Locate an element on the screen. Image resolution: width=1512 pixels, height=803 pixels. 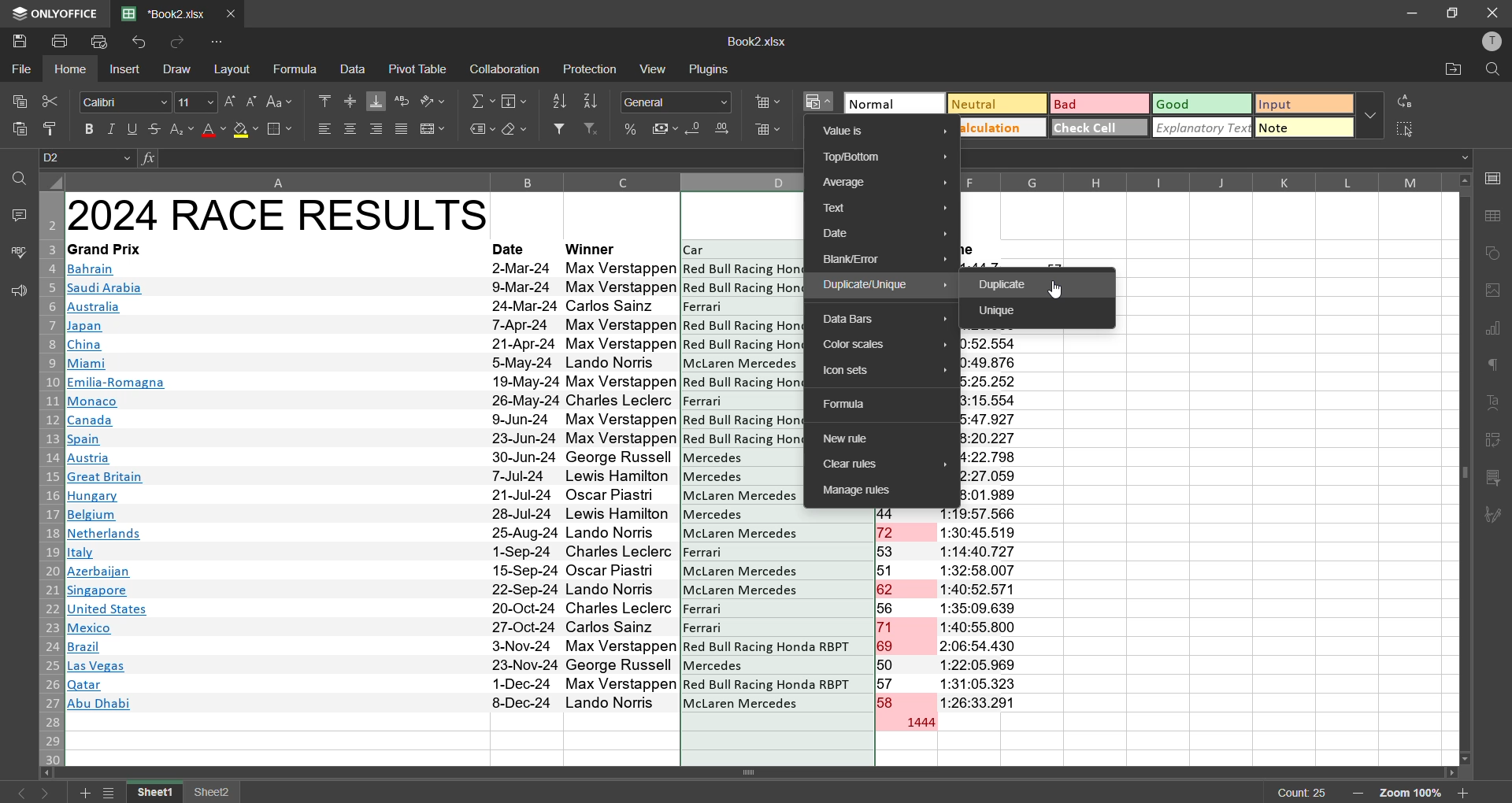
font color is located at coordinates (213, 129).